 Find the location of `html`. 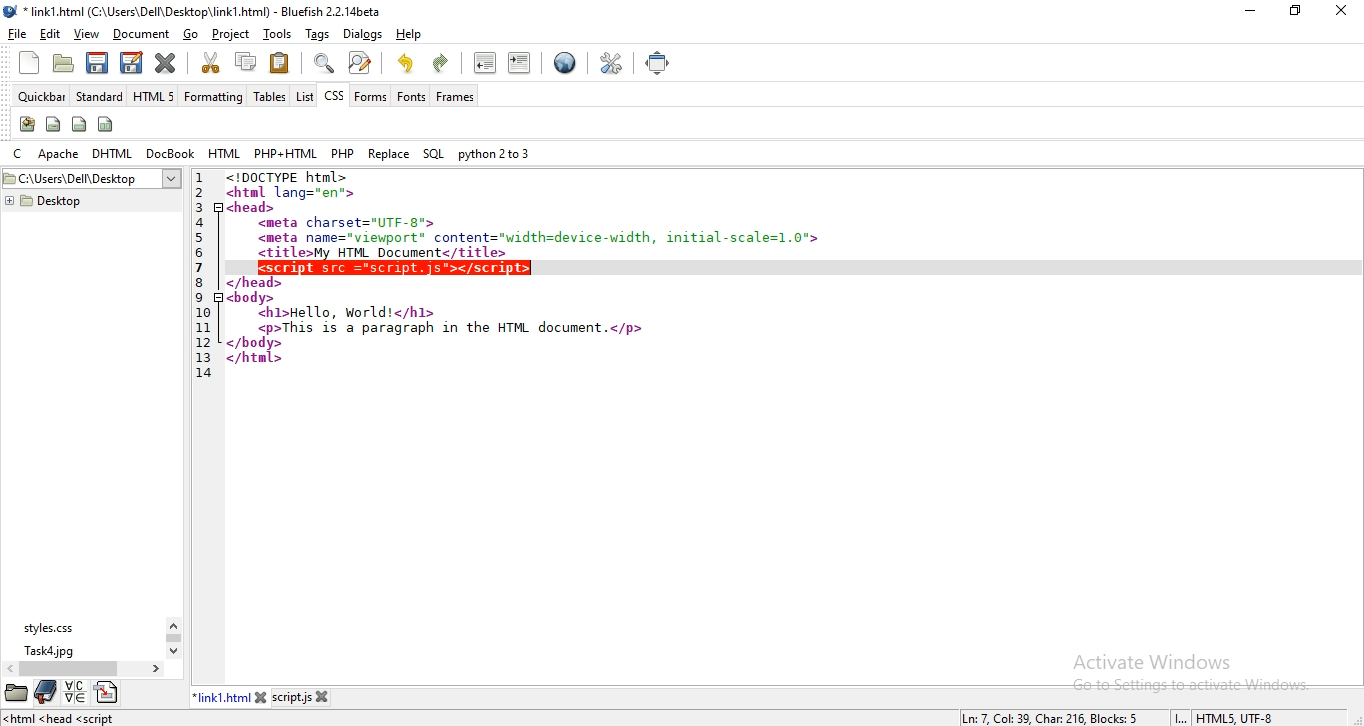

html is located at coordinates (223, 152).